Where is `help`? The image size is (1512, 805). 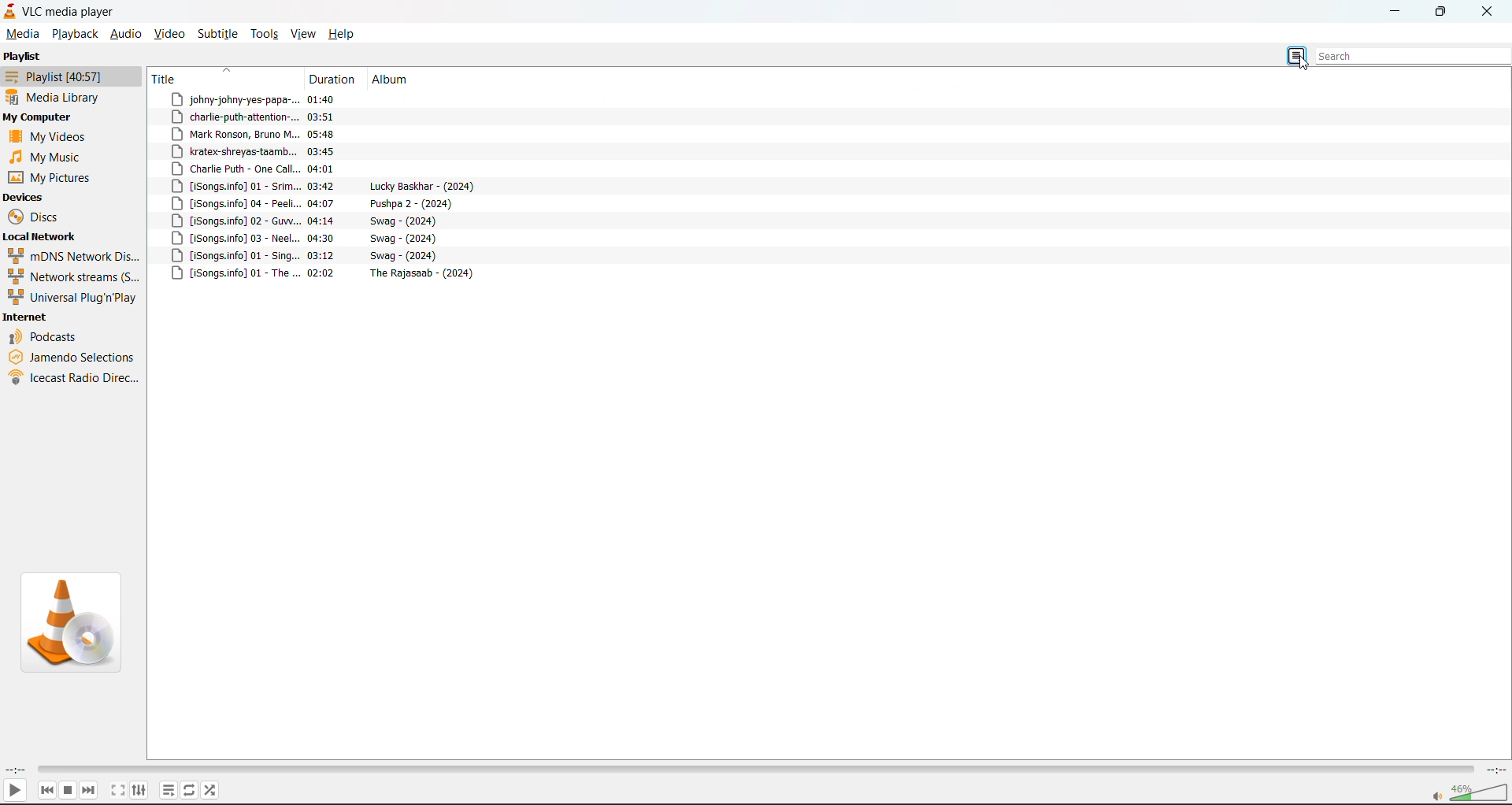
help is located at coordinates (340, 34).